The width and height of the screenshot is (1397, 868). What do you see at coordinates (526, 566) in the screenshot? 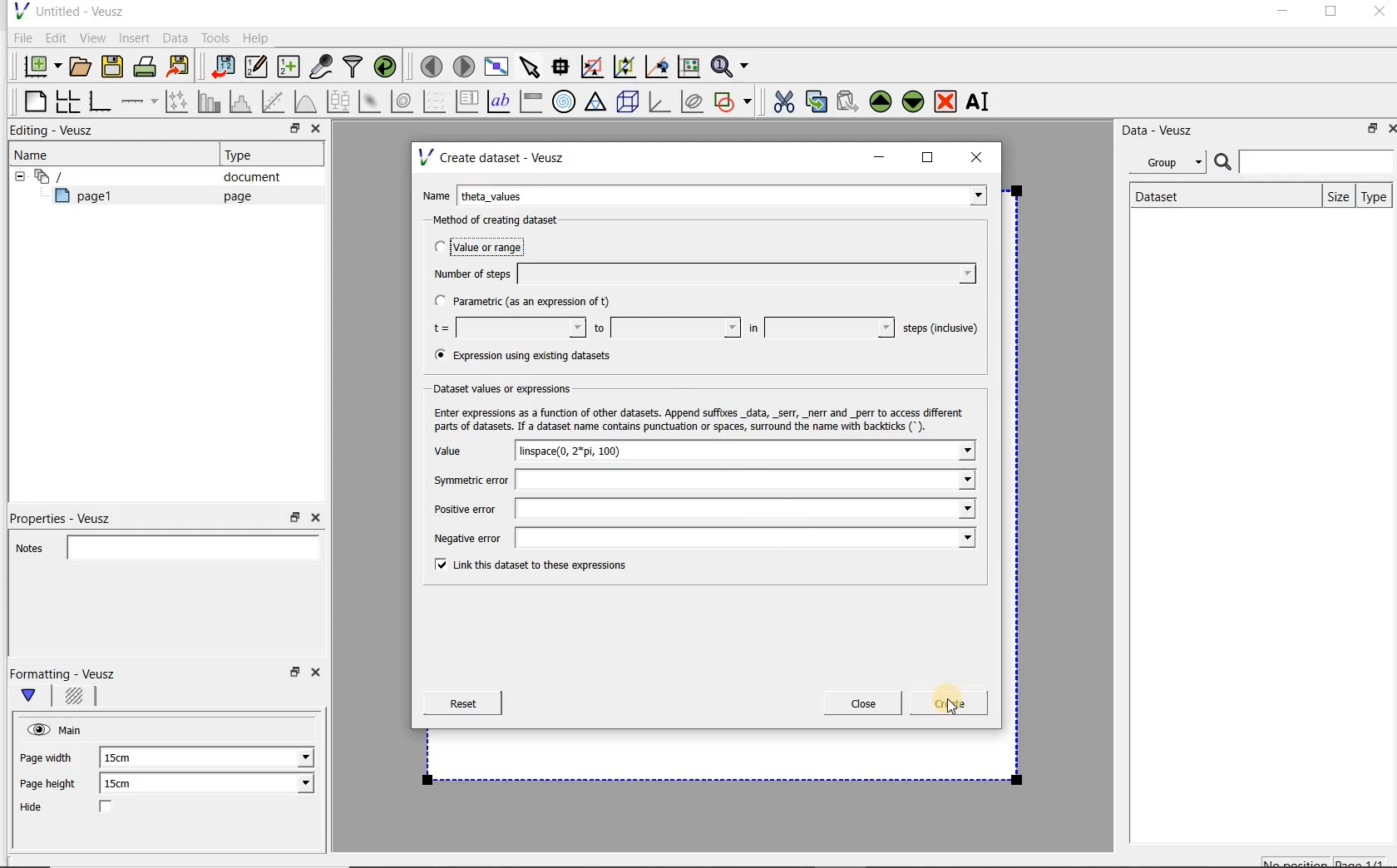
I see `Link this dataset to these expressions` at bounding box center [526, 566].